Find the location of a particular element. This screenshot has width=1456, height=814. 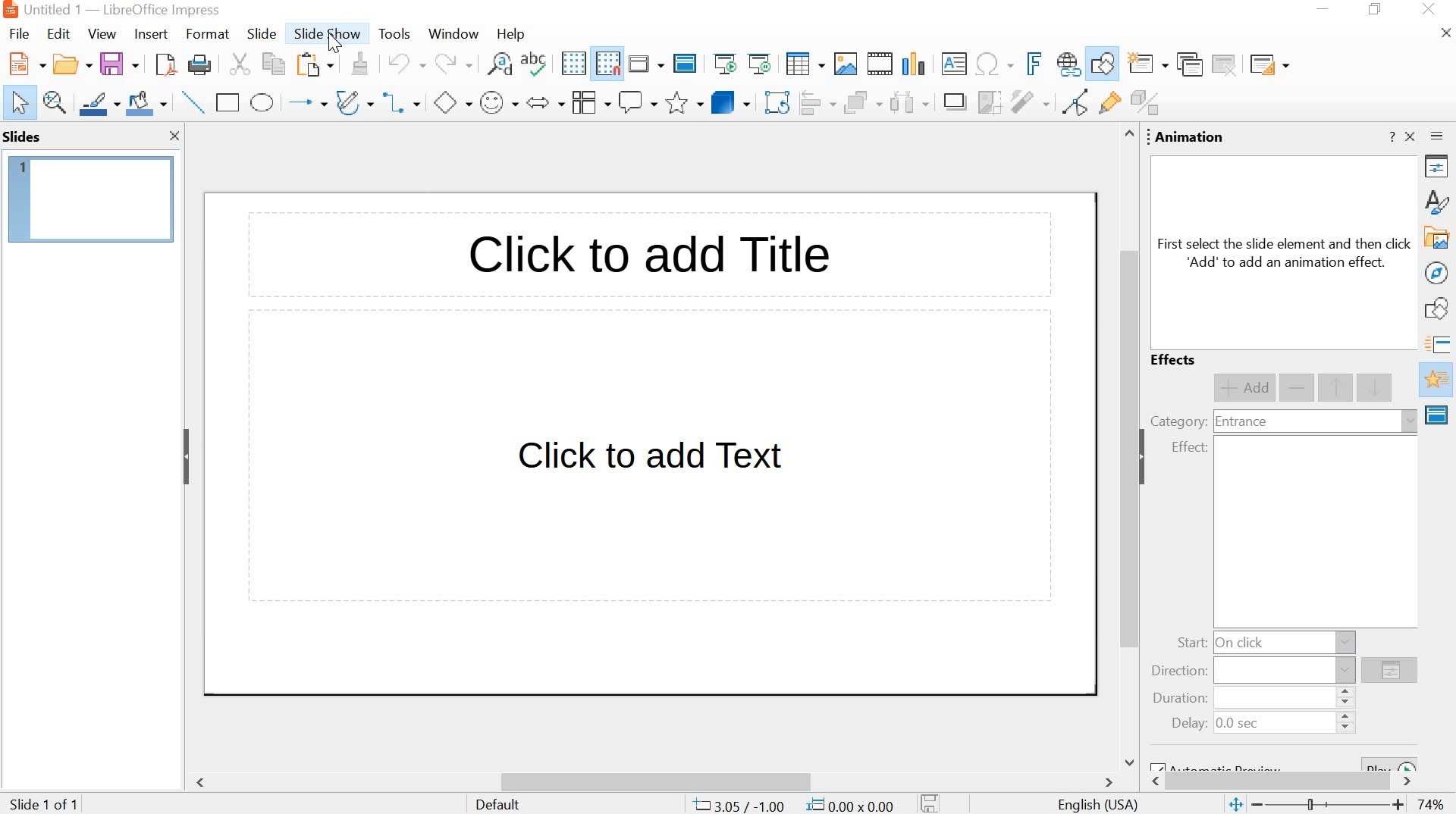

save is located at coordinates (119, 64).